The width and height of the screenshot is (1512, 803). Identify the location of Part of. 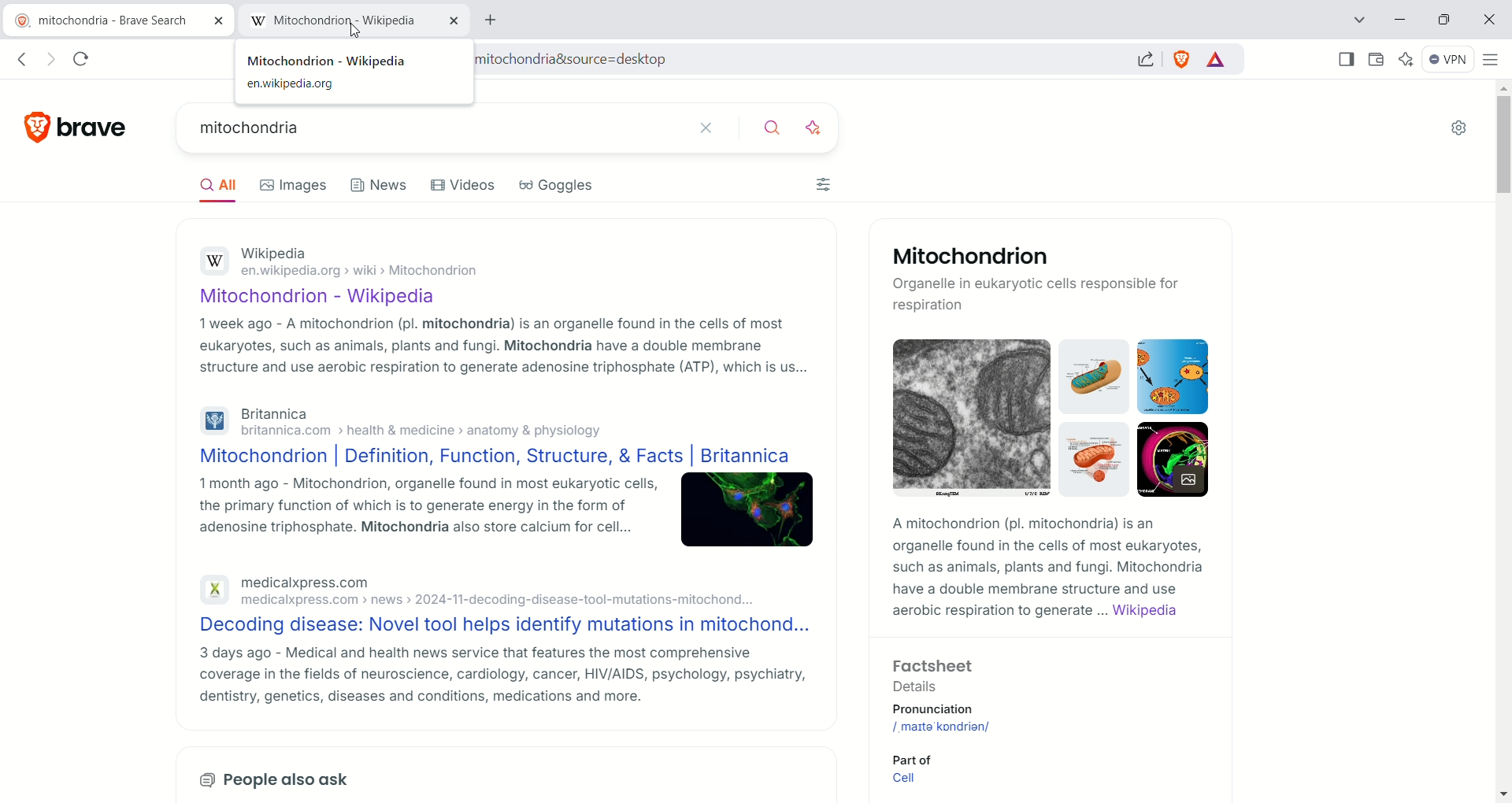
(905, 760).